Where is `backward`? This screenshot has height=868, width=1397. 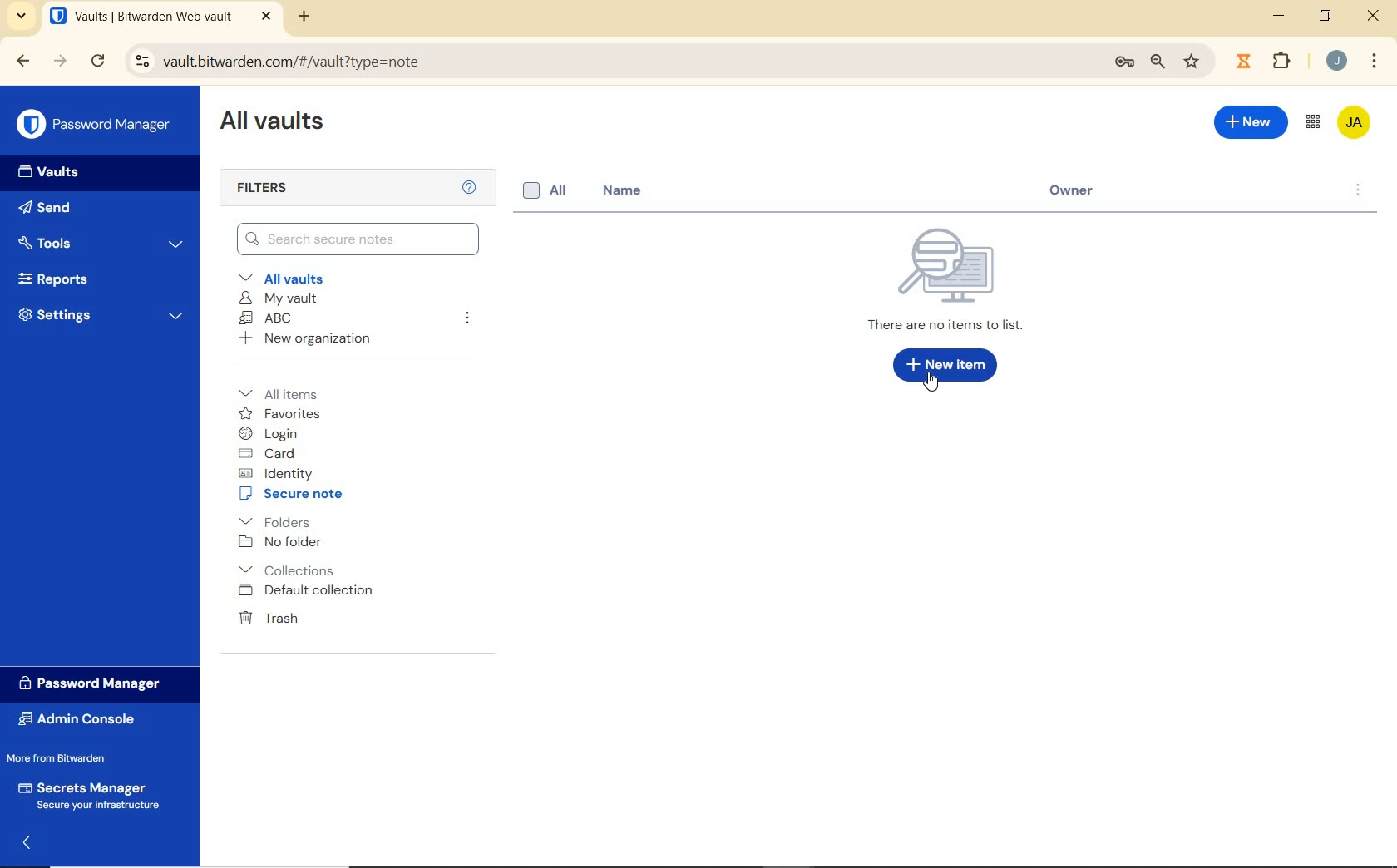
backward is located at coordinates (23, 62).